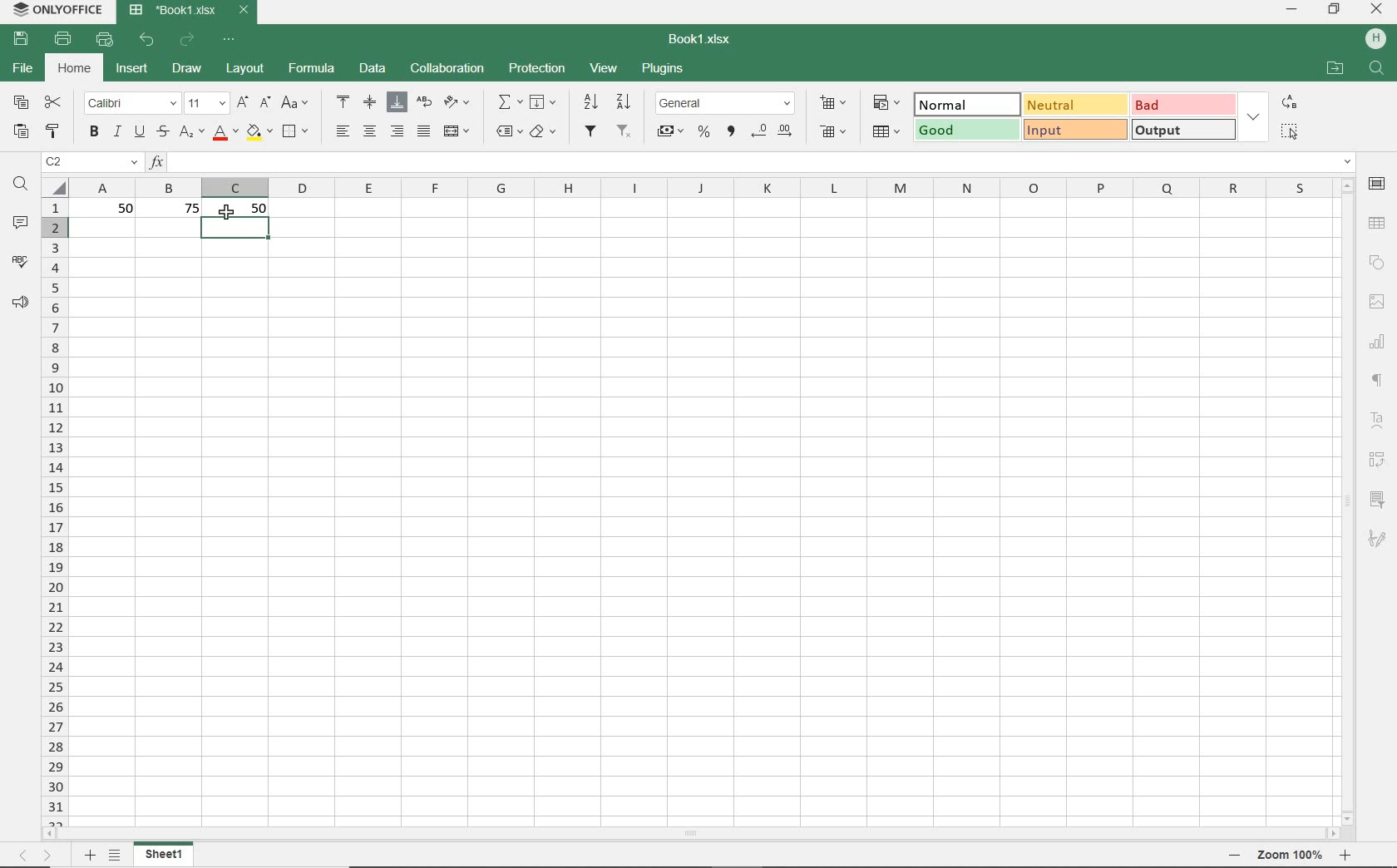 This screenshot has height=868, width=1397. Describe the element at coordinates (190, 12) in the screenshot. I see `file name` at that location.